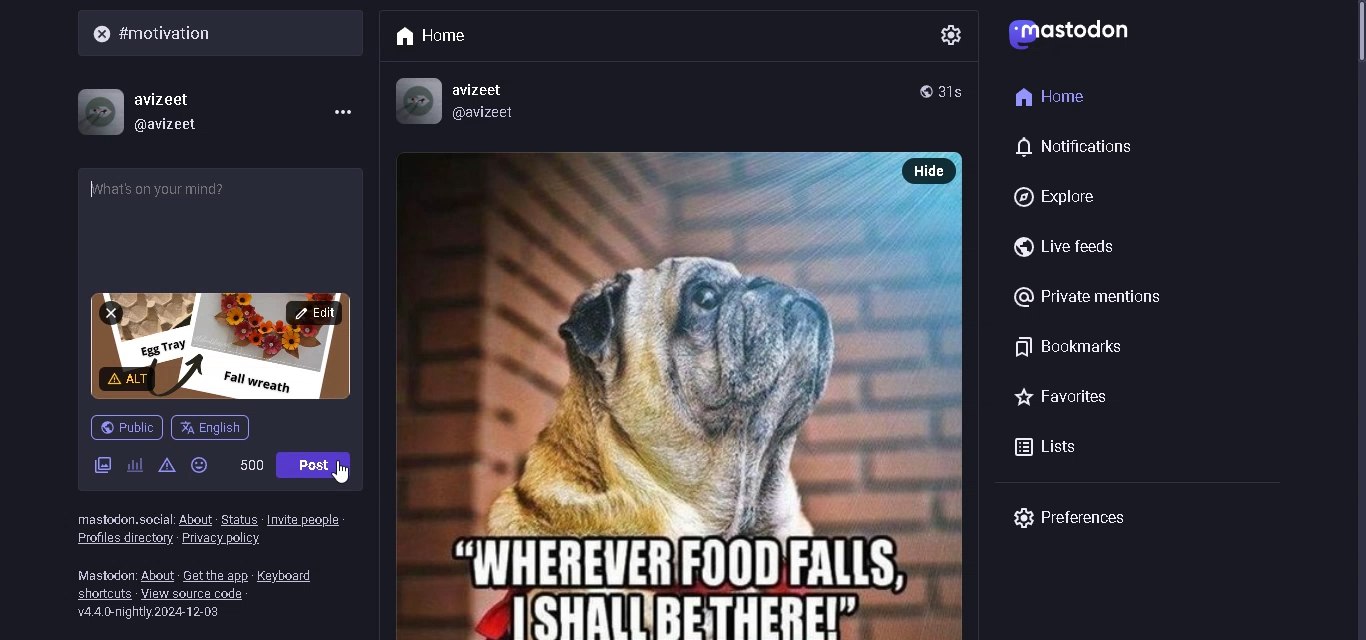  I want to click on logo, so click(1076, 37).